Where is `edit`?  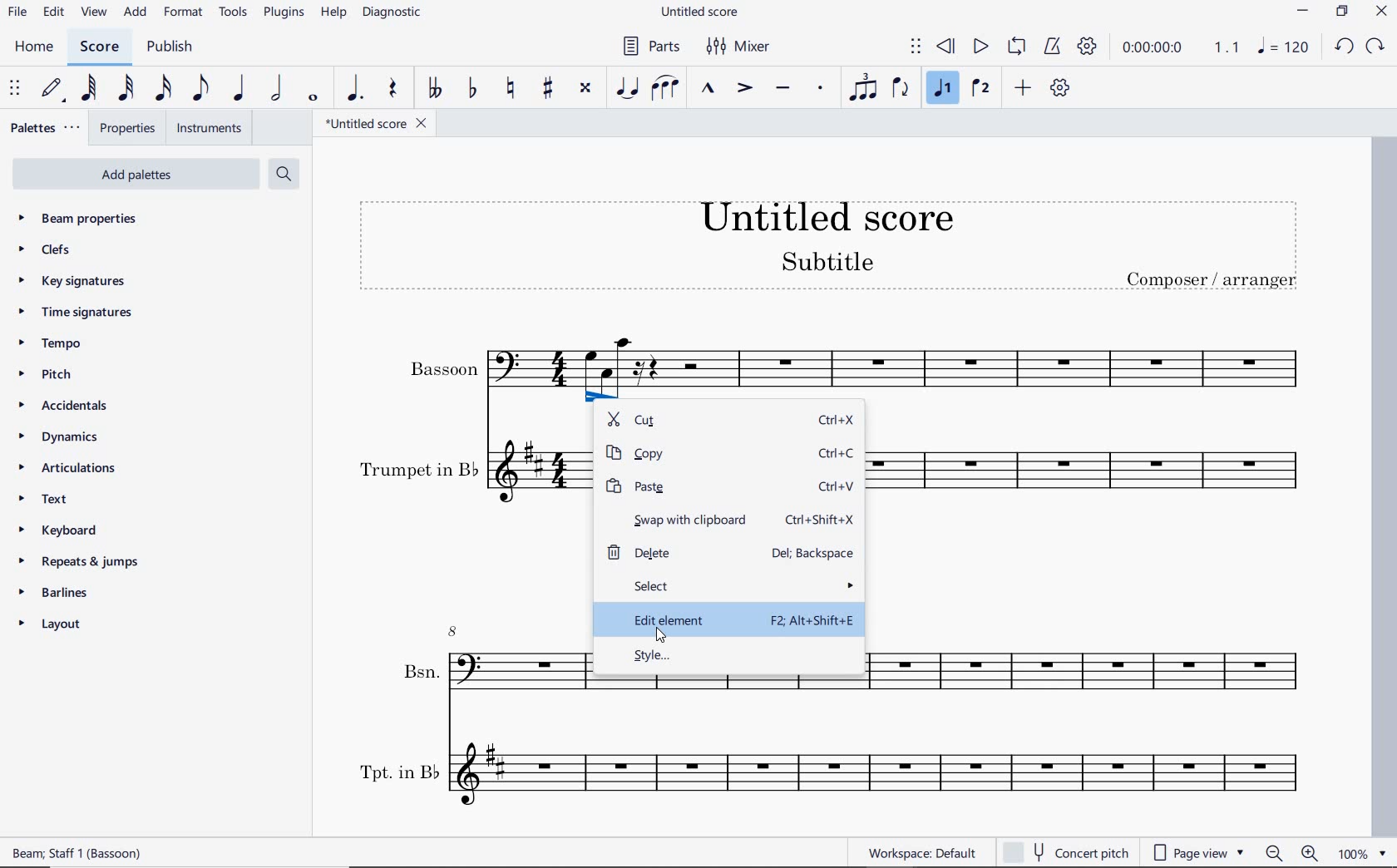
edit is located at coordinates (53, 14).